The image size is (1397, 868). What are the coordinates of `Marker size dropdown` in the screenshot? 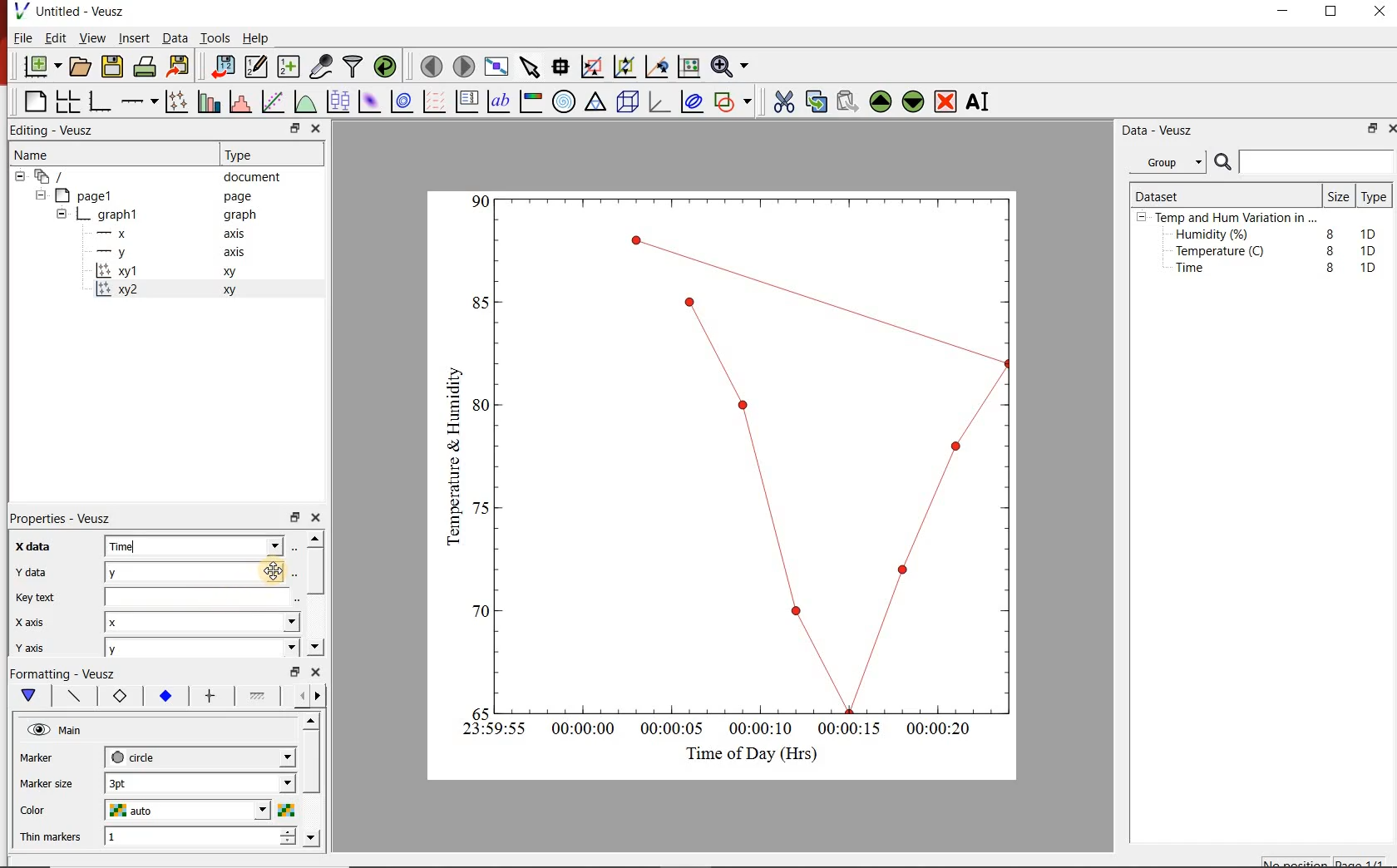 It's located at (249, 784).